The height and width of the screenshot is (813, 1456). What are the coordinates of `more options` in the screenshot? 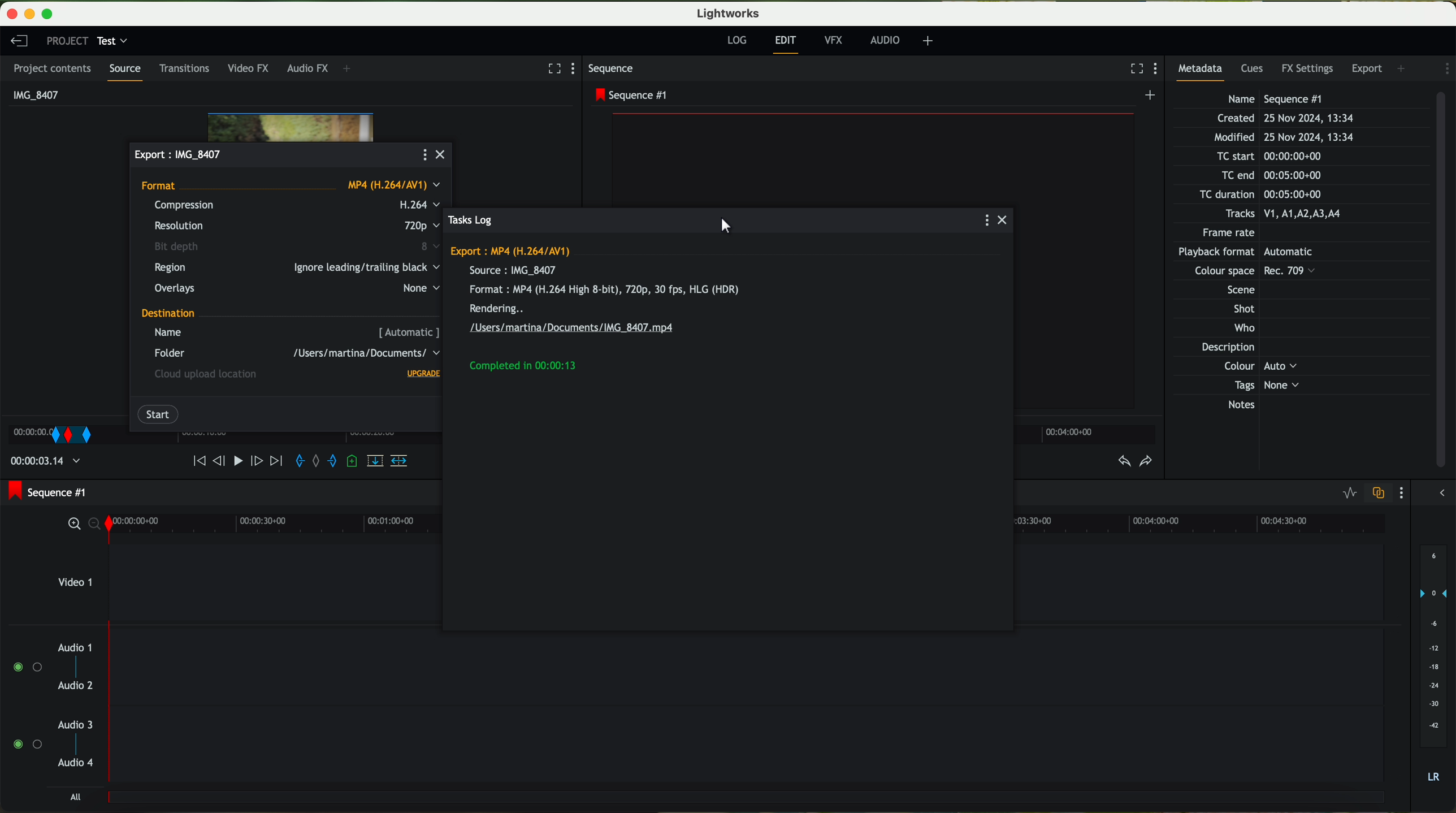 It's located at (983, 220).